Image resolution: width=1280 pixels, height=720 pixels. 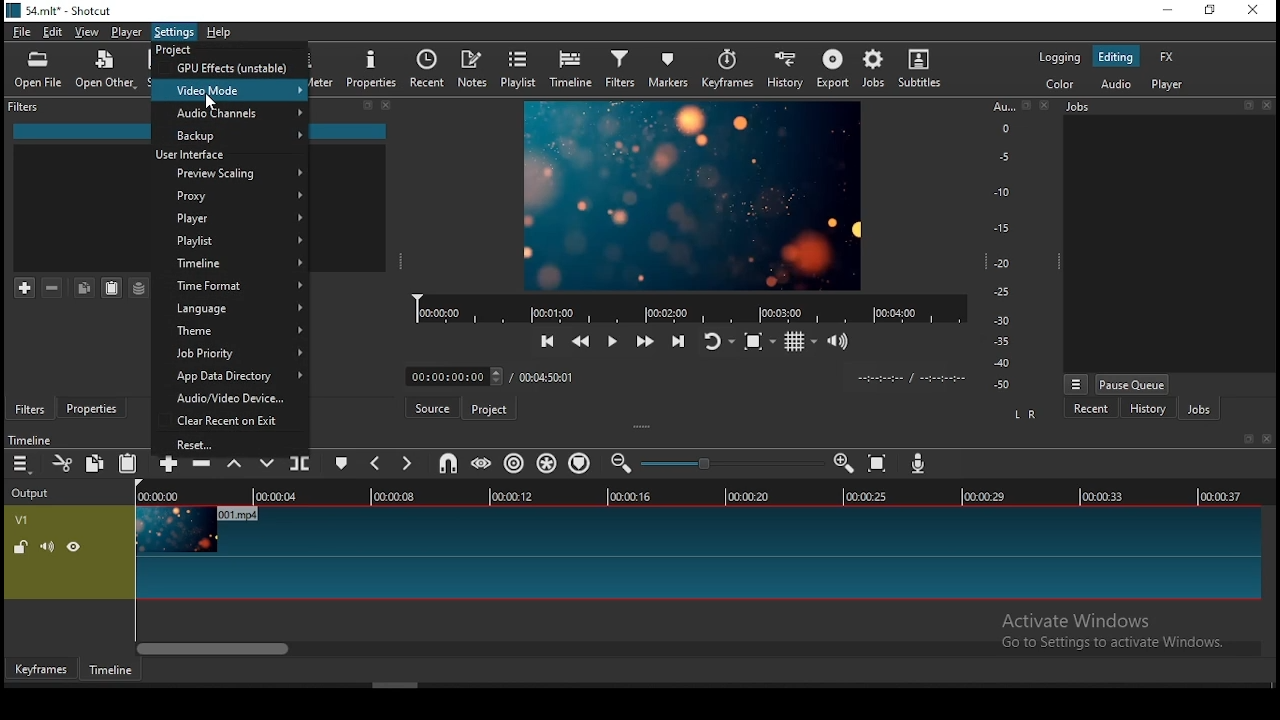 I want to click on project, so click(x=489, y=408).